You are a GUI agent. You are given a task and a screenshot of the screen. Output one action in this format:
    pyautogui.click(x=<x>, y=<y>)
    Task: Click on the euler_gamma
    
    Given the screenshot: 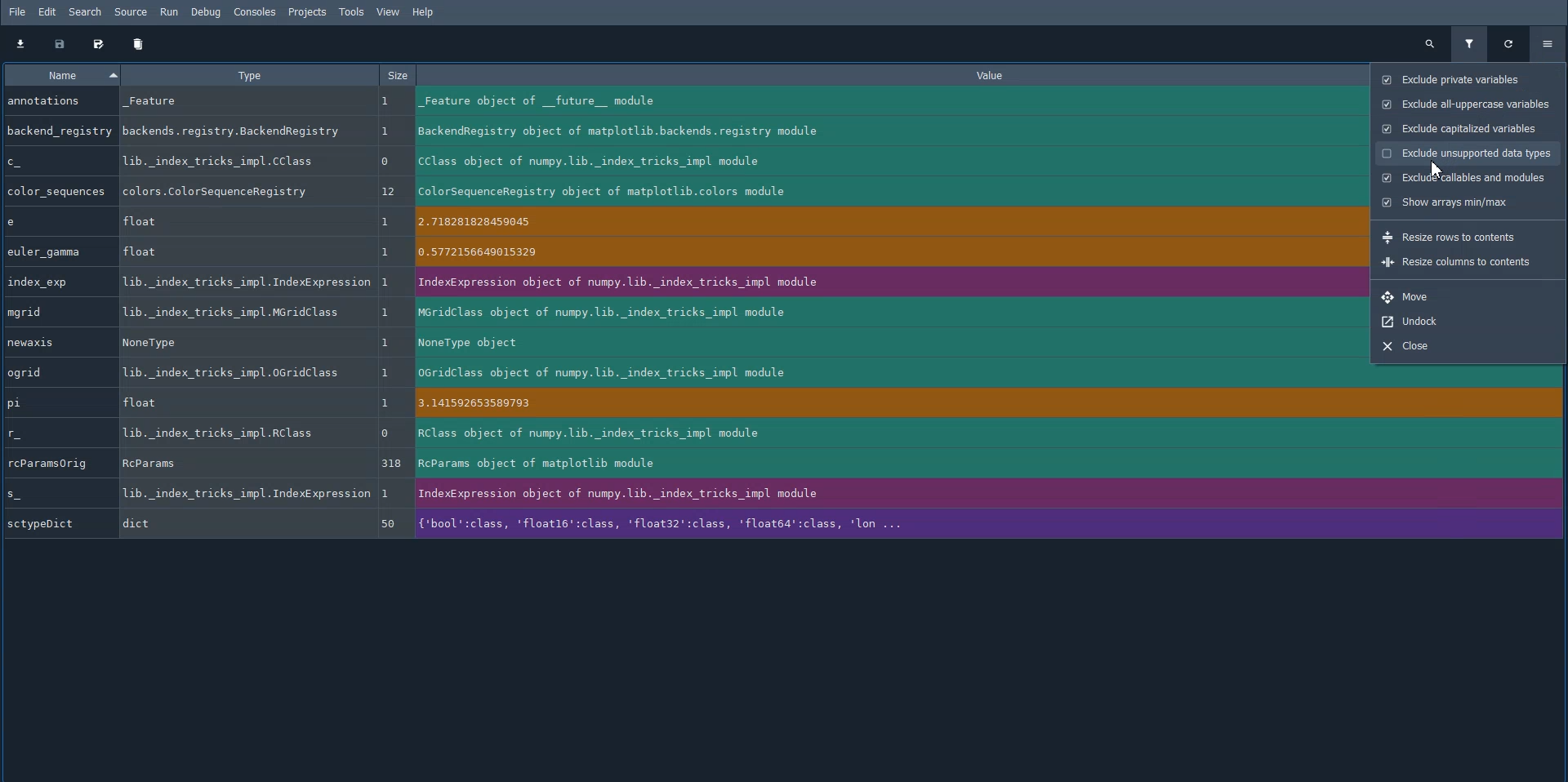 What is the action you would take?
    pyautogui.click(x=54, y=251)
    